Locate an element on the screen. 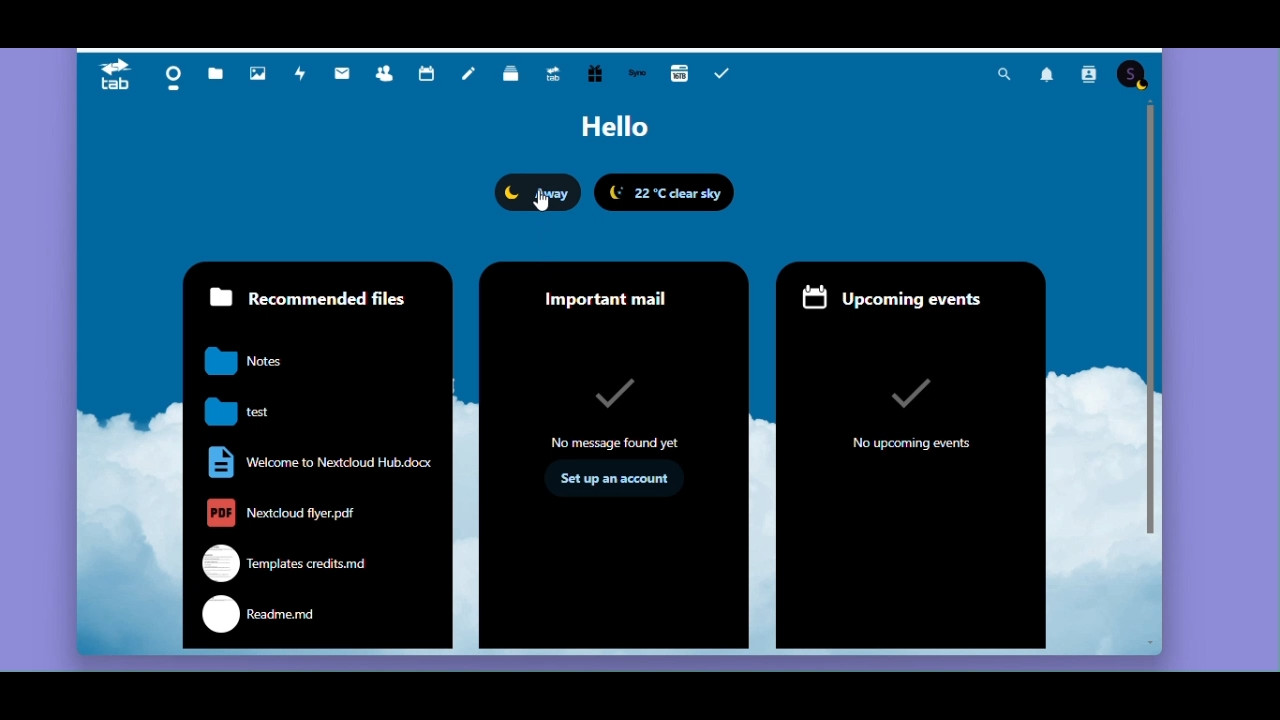 The height and width of the screenshot is (720, 1280). Synology is located at coordinates (638, 73).